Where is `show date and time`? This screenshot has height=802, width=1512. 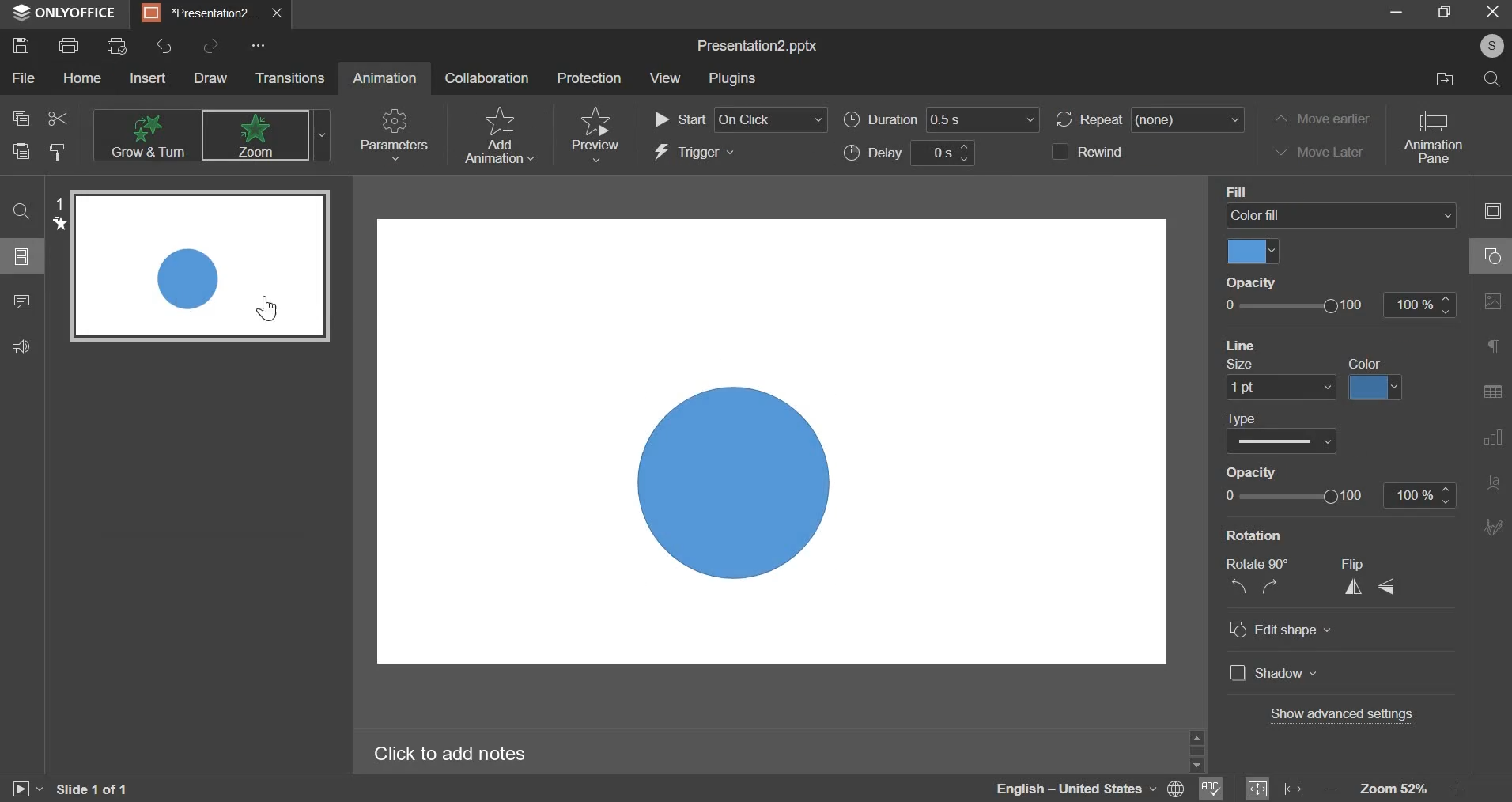
show date and time is located at coordinates (1293, 471).